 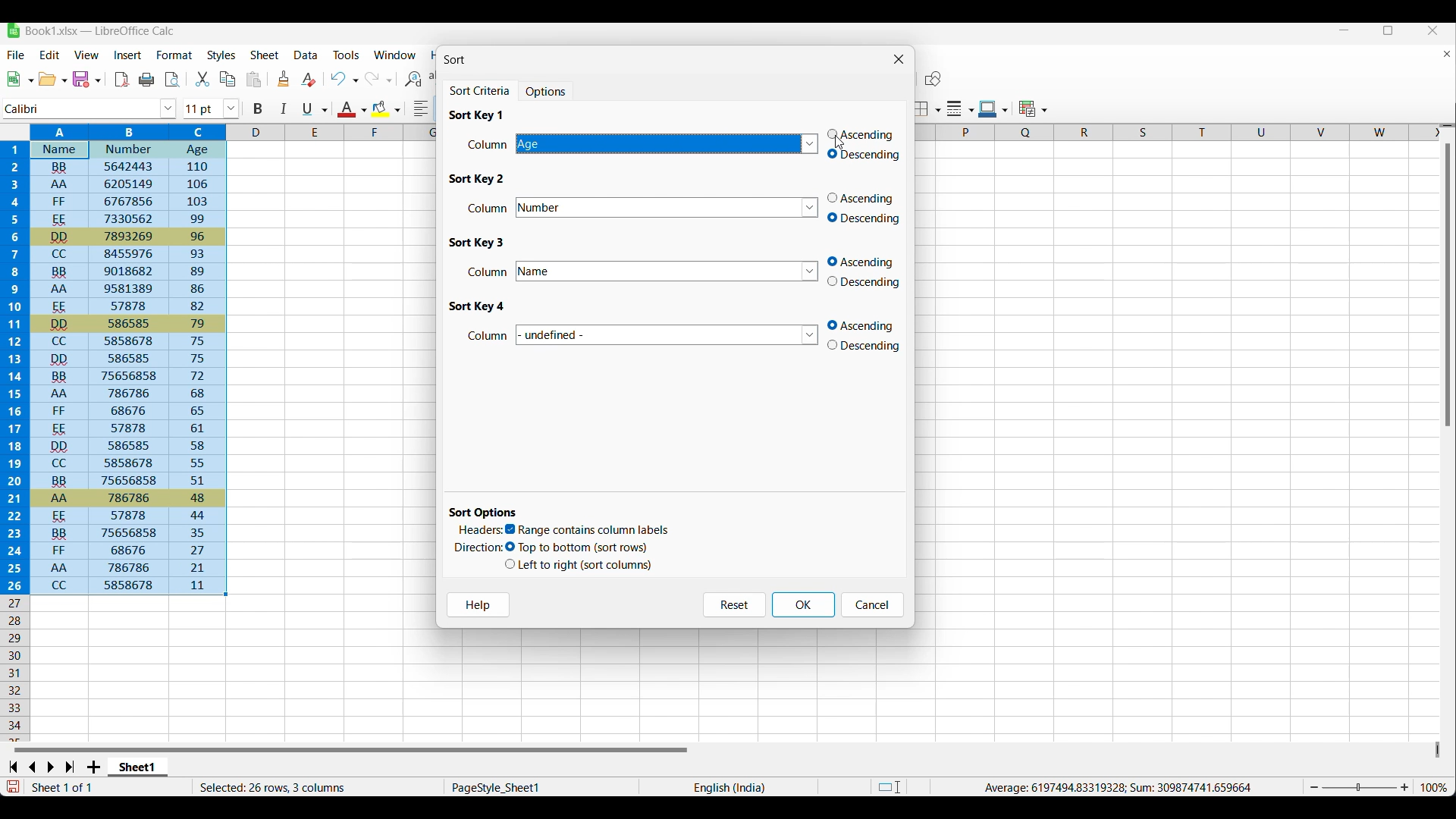 I want to click on Undo and undo options, so click(x=344, y=78).